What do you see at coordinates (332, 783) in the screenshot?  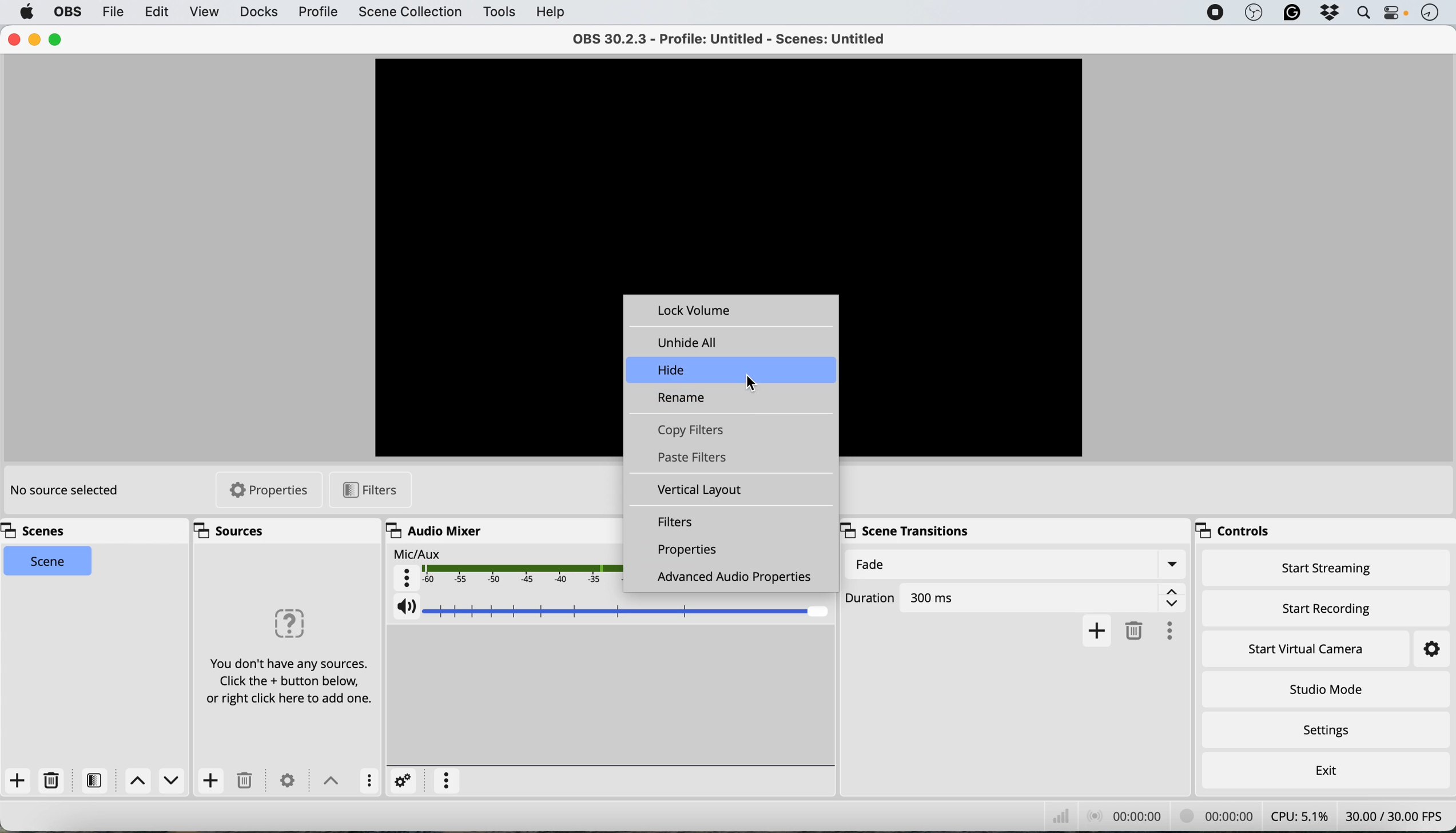 I see `toggle between sources` at bounding box center [332, 783].